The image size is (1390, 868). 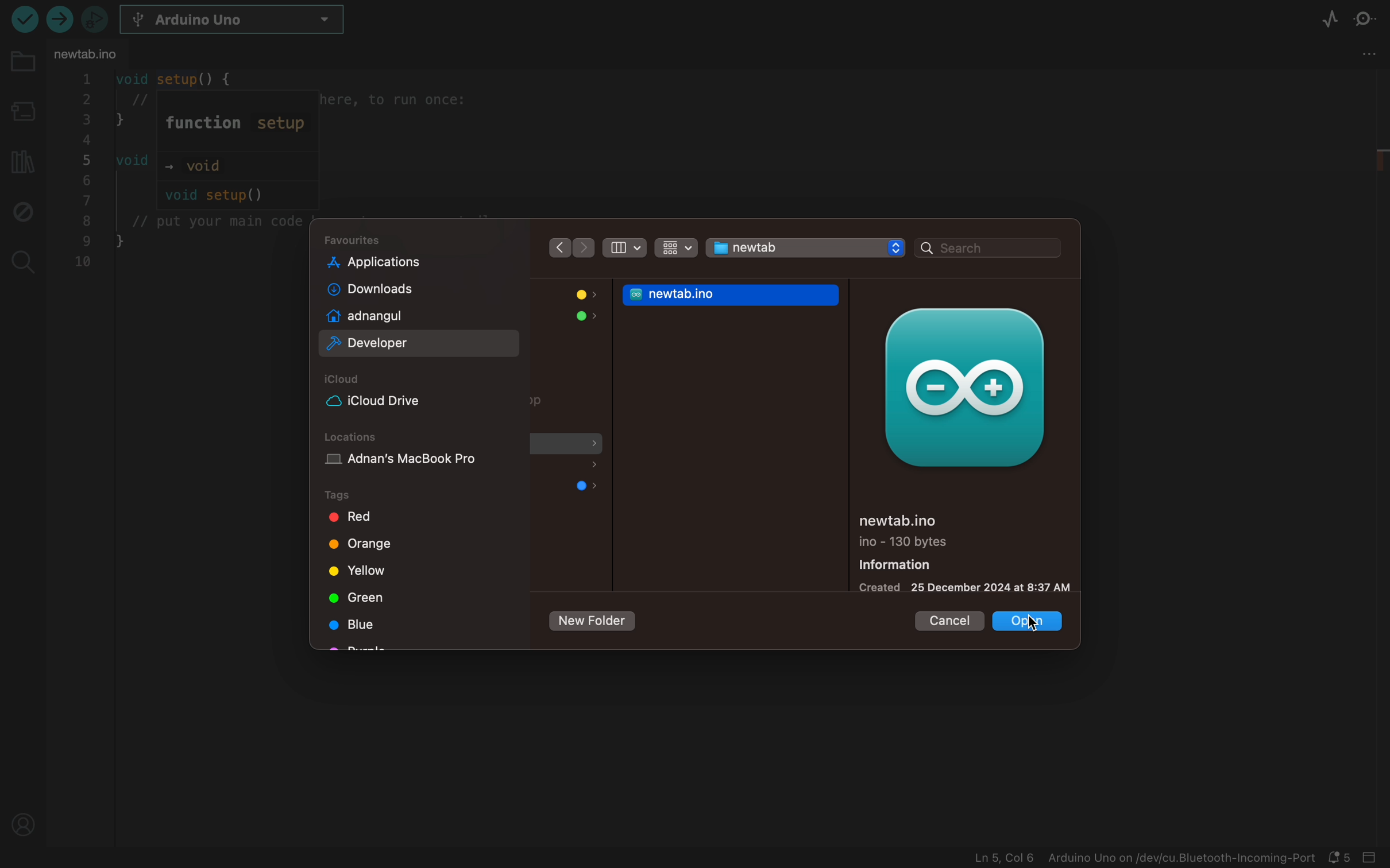 I want to click on filter column, so click(x=622, y=246).